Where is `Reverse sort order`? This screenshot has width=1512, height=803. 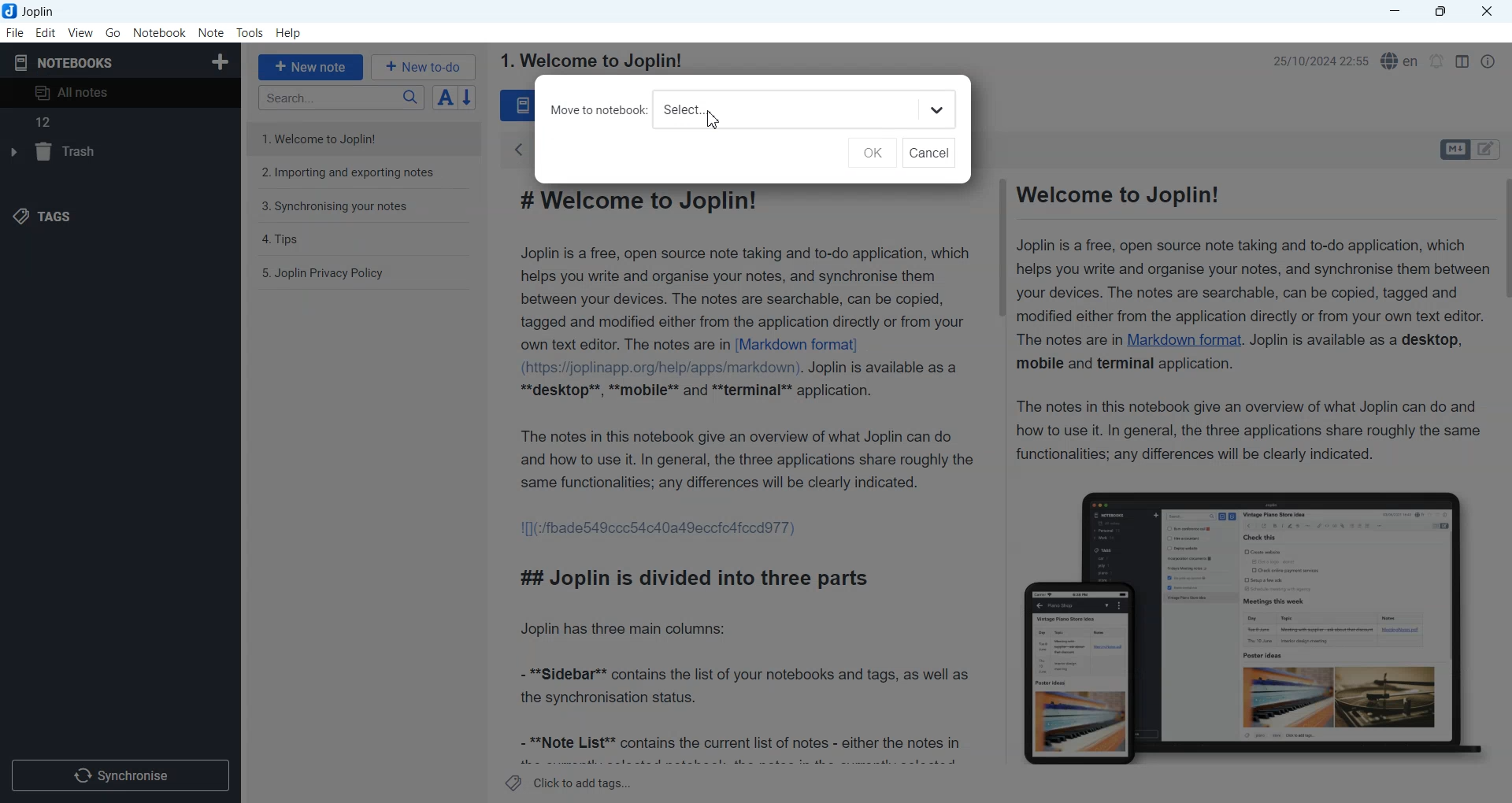 Reverse sort order is located at coordinates (469, 98).